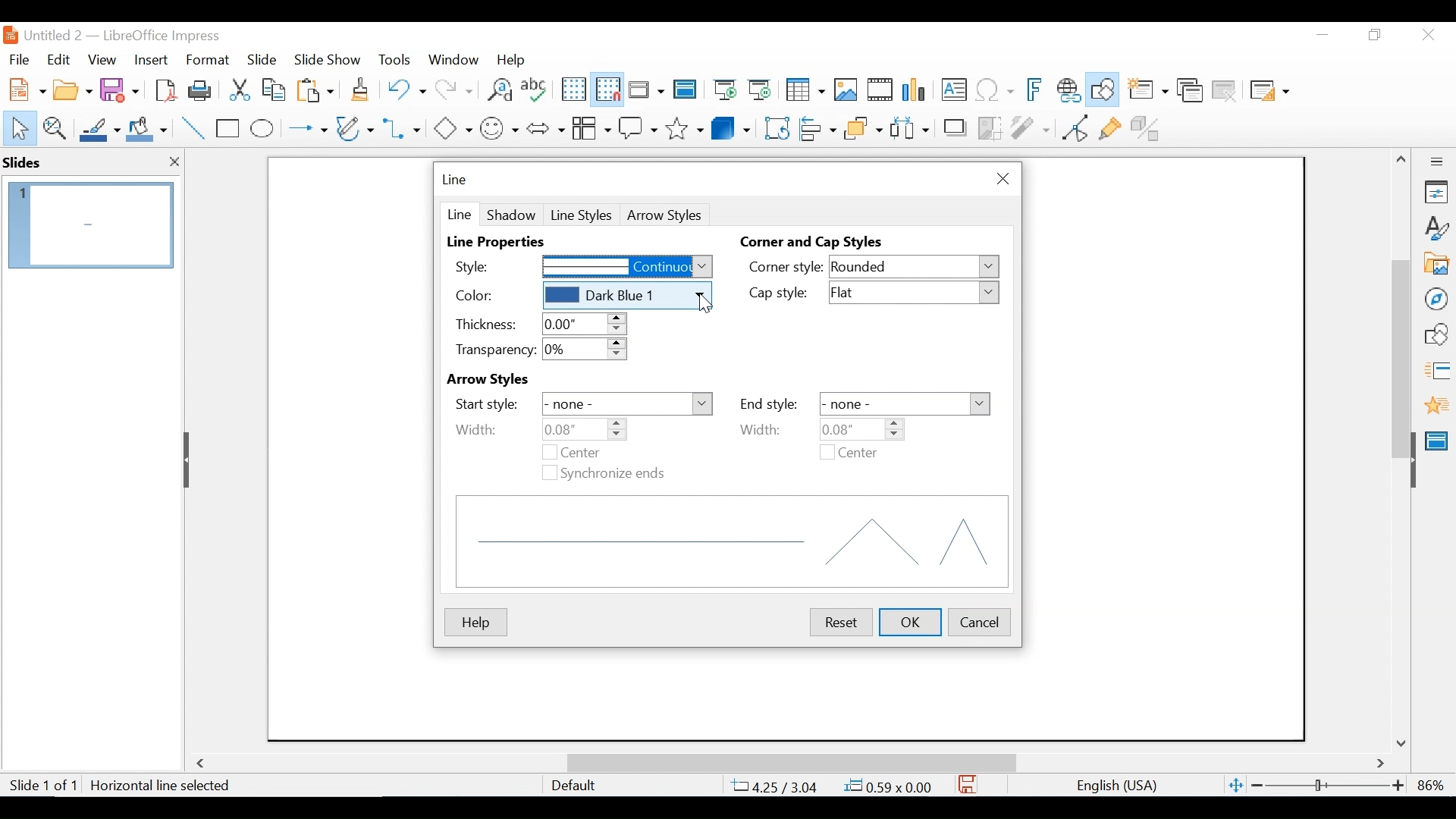  Describe the element at coordinates (1109, 127) in the screenshot. I see `Show Gluepoint Functions` at that location.